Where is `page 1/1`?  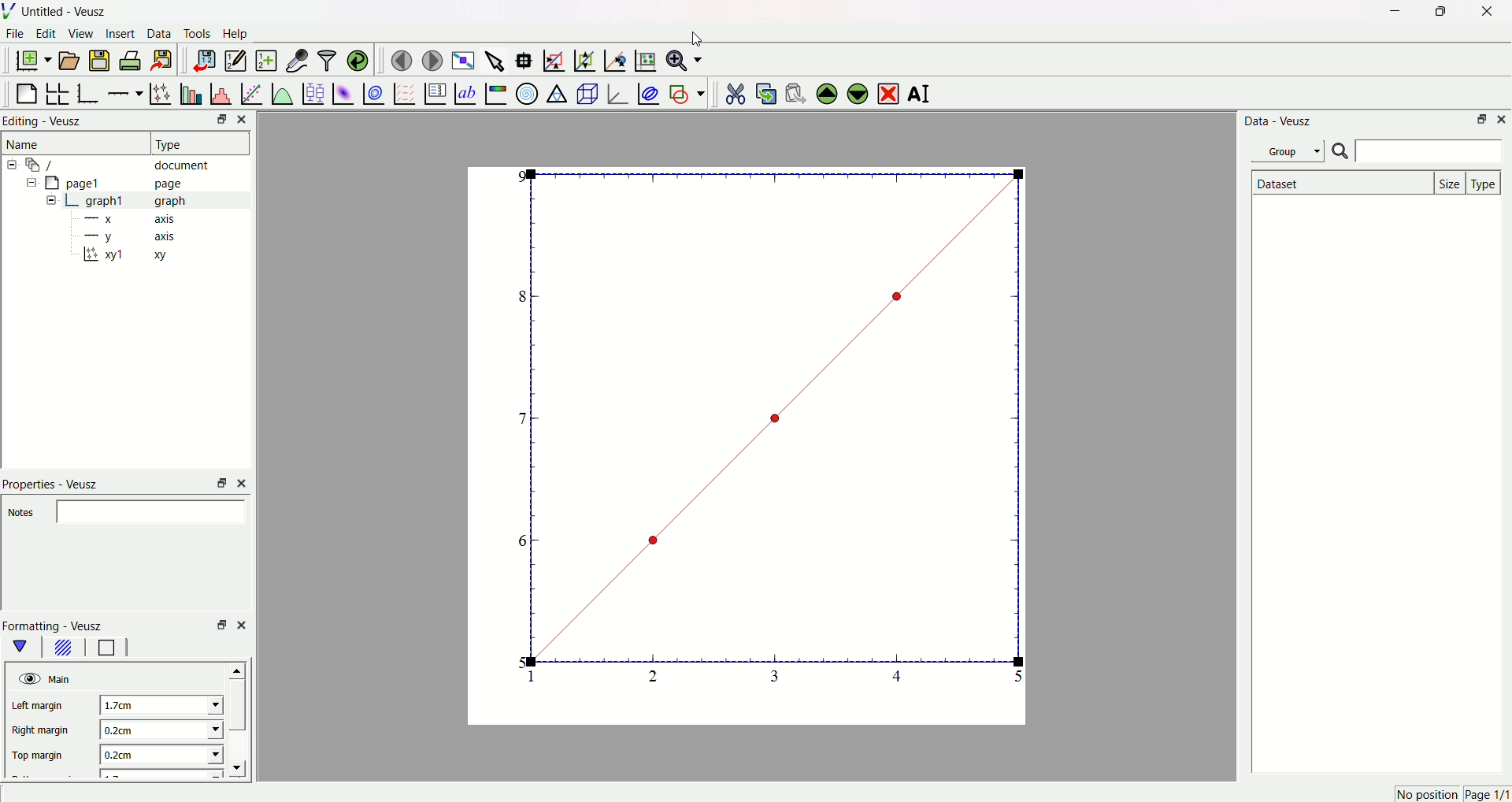
page 1/1 is located at coordinates (1487, 795).